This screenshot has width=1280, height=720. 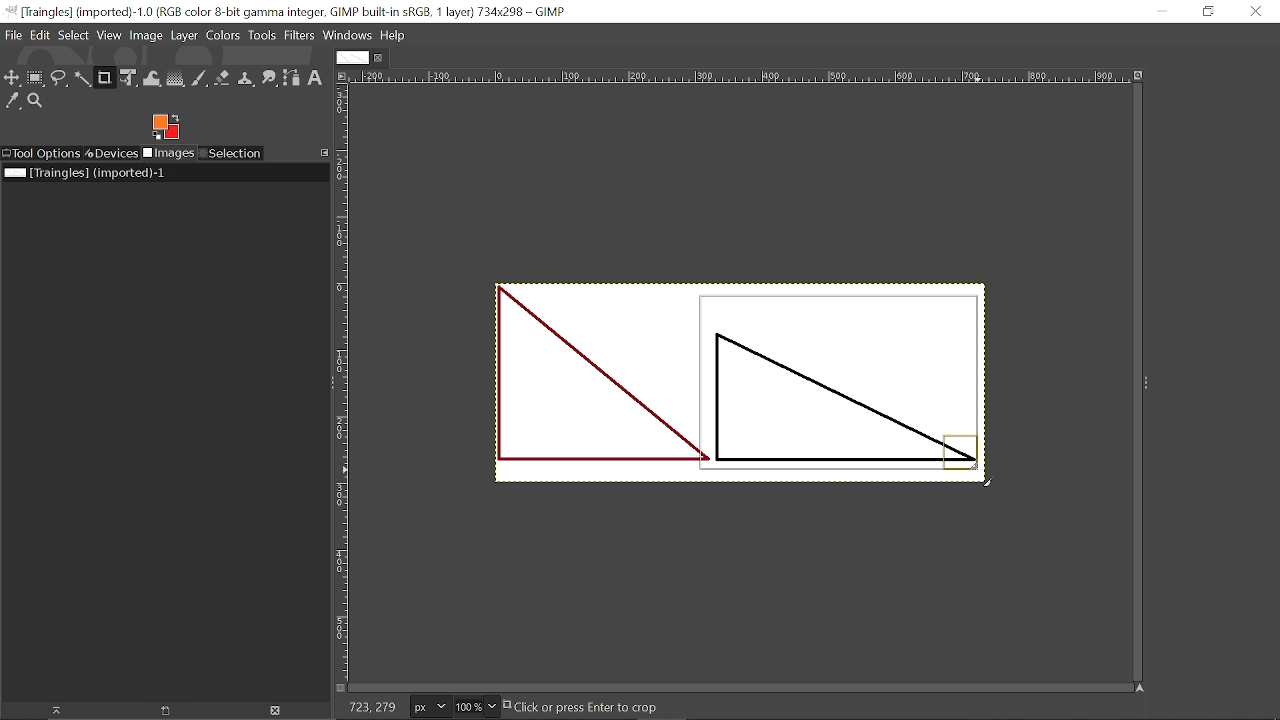 What do you see at coordinates (223, 37) in the screenshot?
I see `Colors` at bounding box center [223, 37].